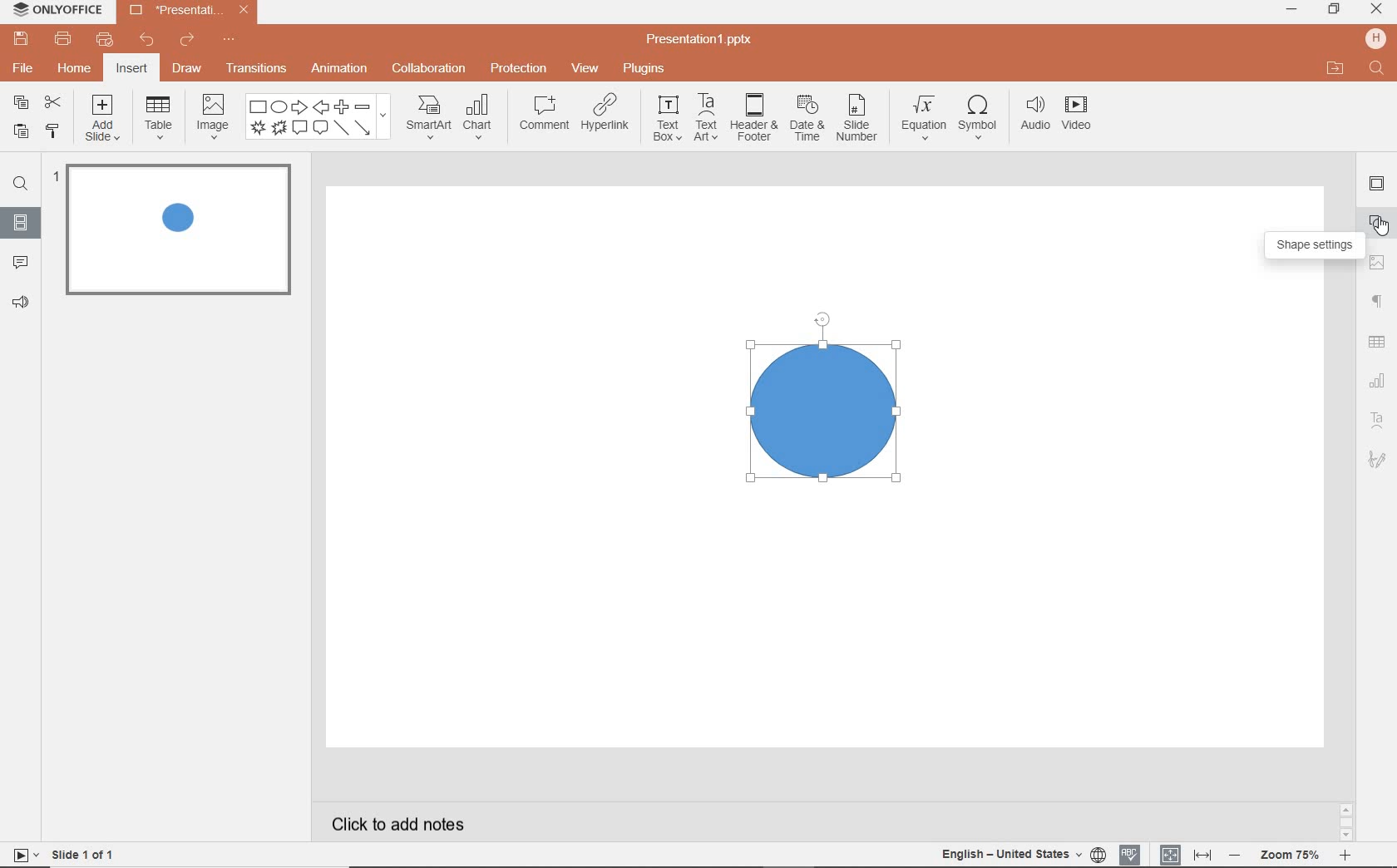  I want to click on shapes, so click(318, 117).